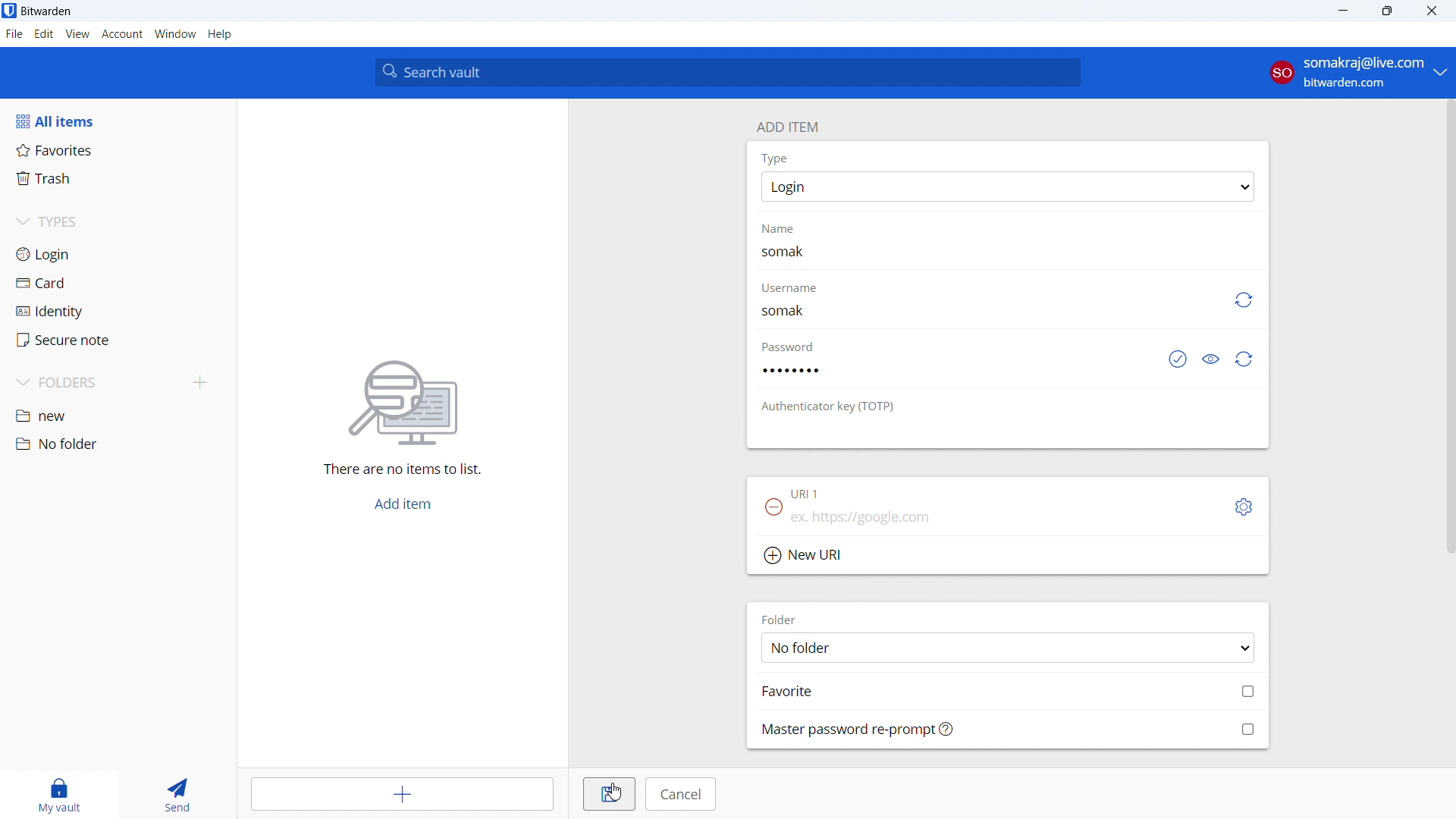  What do you see at coordinates (14, 34) in the screenshot?
I see `file` at bounding box center [14, 34].